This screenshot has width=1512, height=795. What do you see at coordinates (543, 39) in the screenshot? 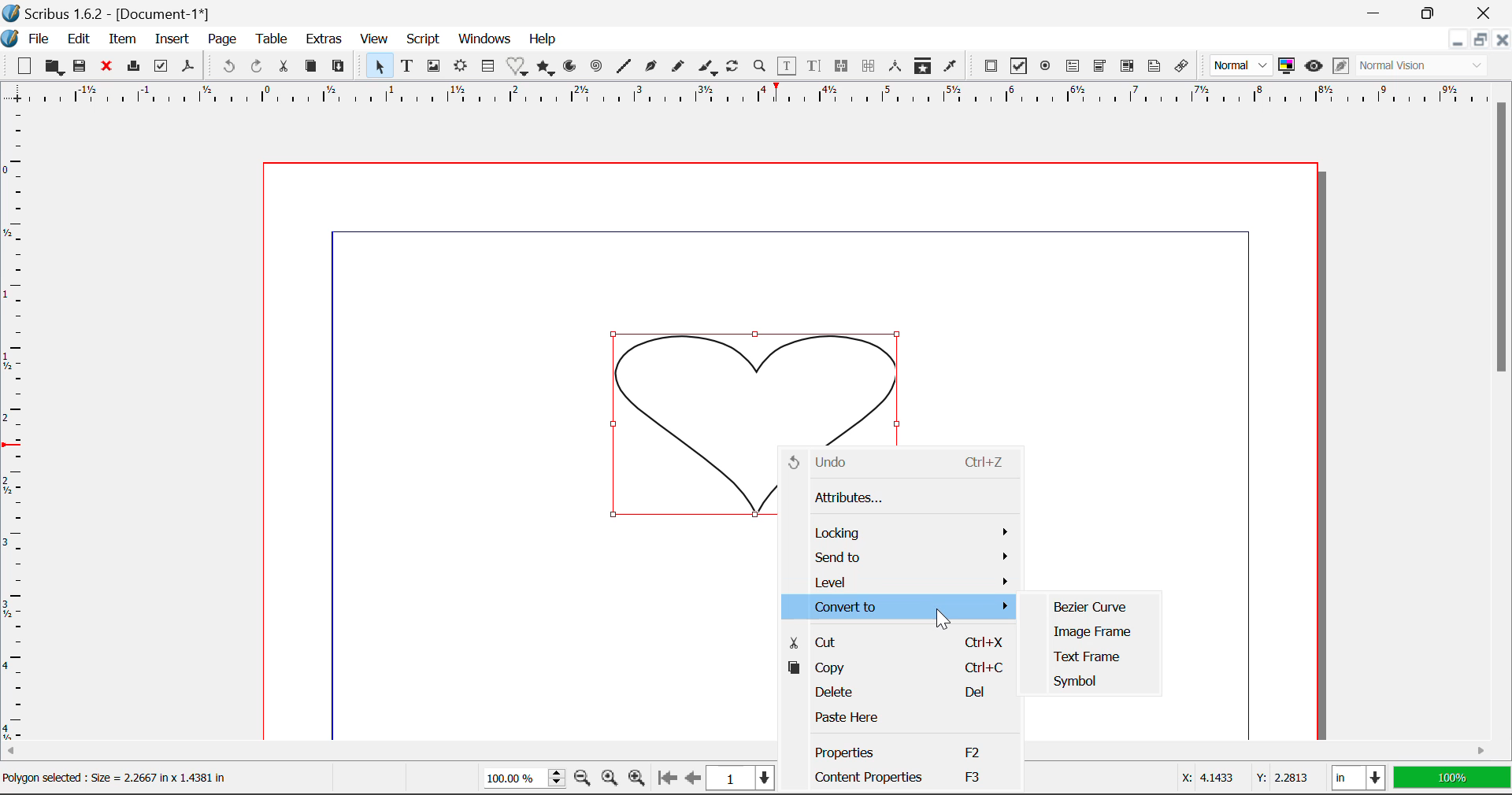
I see `Help` at bounding box center [543, 39].